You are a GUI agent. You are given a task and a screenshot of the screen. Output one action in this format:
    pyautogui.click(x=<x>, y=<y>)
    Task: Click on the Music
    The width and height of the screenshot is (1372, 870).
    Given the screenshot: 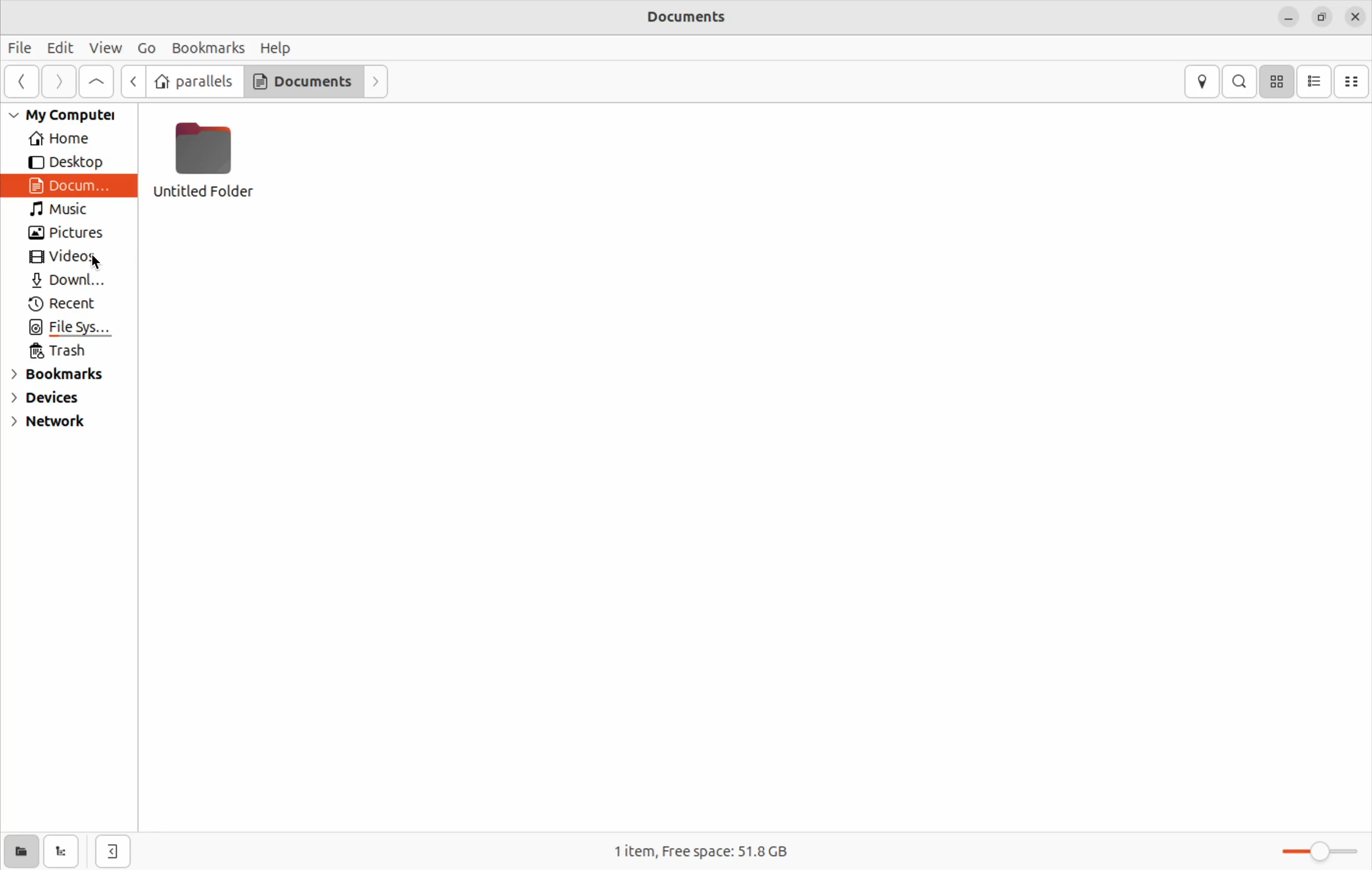 What is the action you would take?
    pyautogui.click(x=64, y=210)
    